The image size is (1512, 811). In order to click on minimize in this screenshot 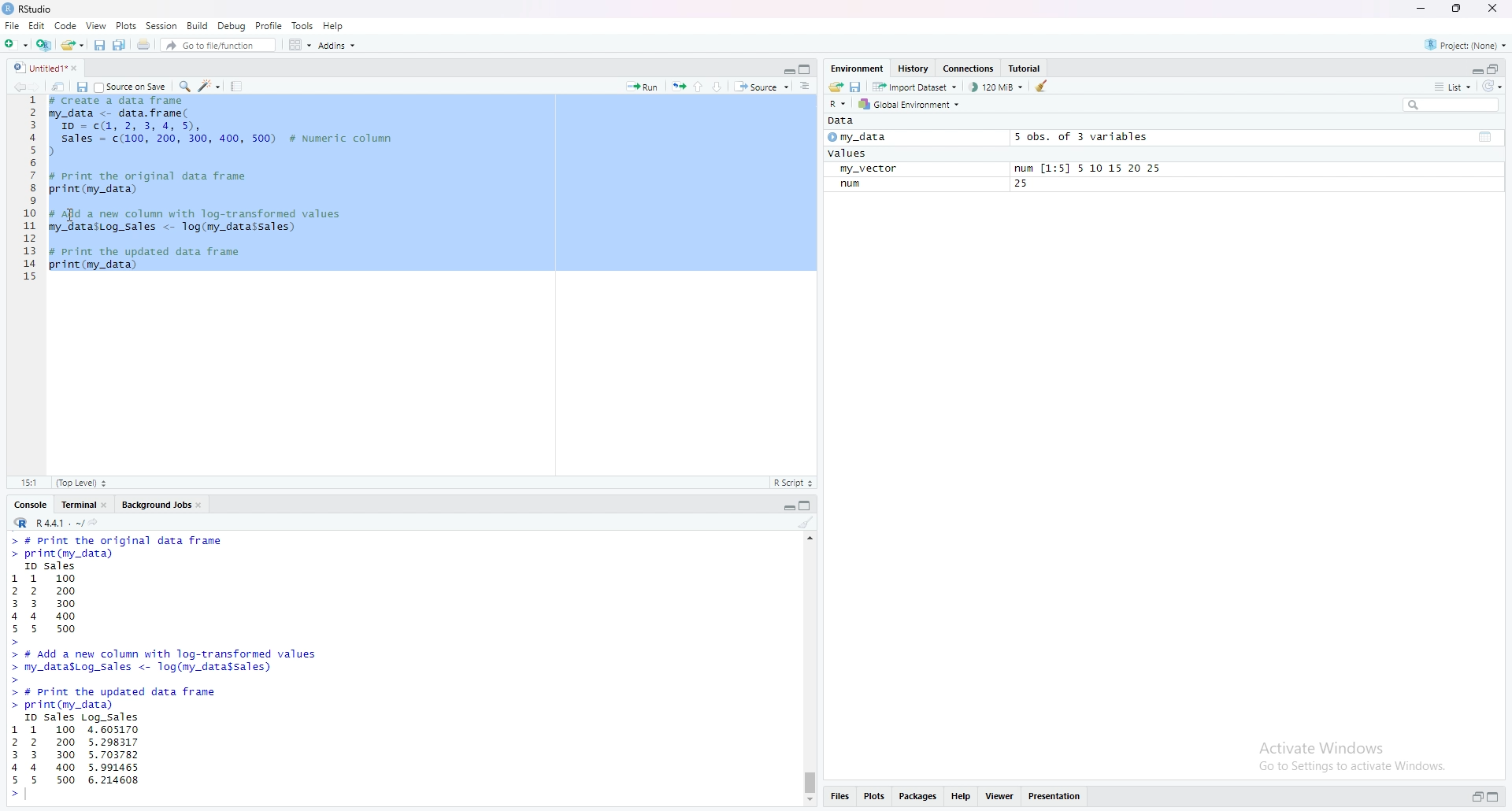, I will do `click(784, 506)`.